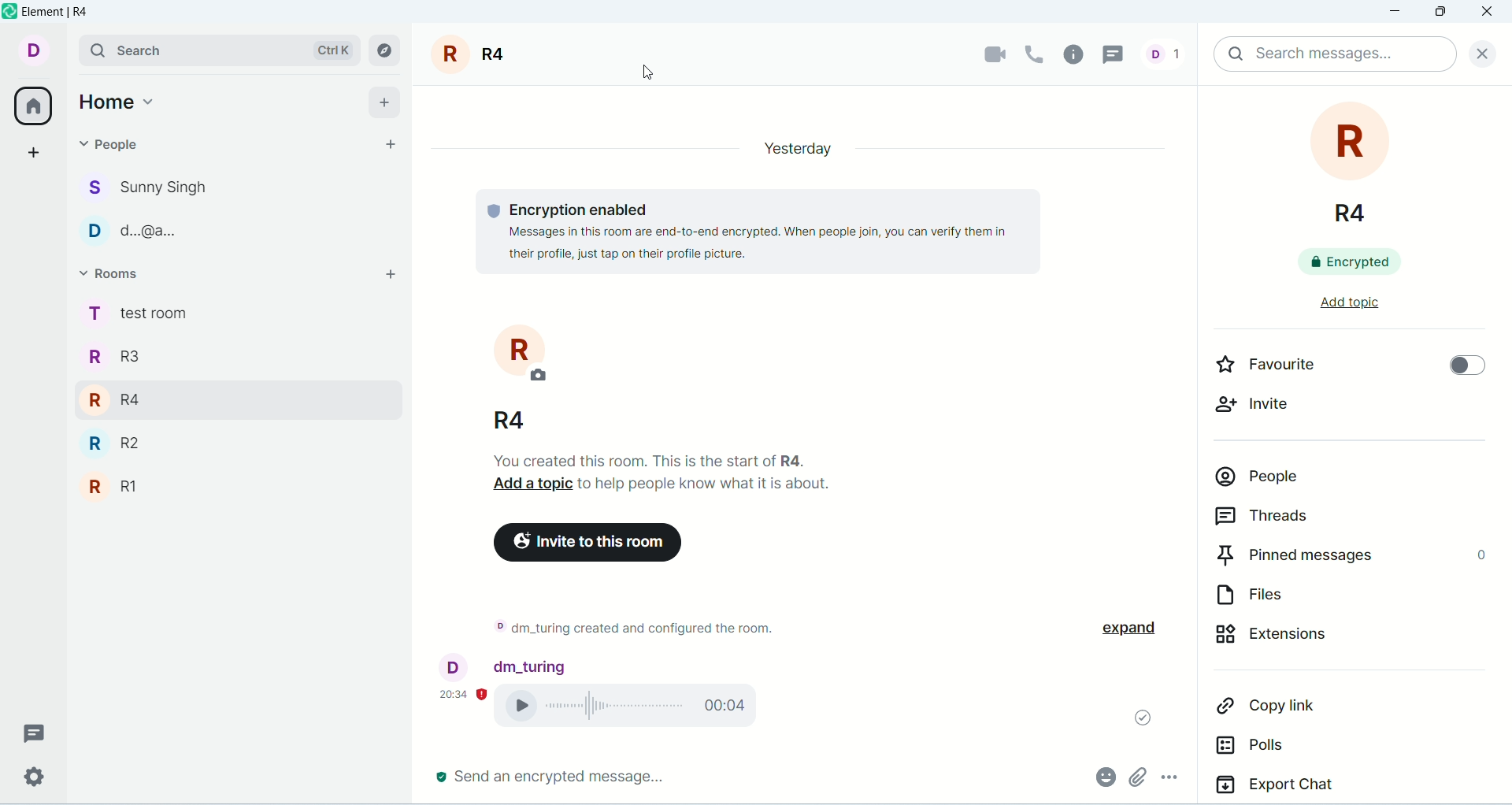 This screenshot has width=1512, height=805. I want to click on settings, so click(32, 777).